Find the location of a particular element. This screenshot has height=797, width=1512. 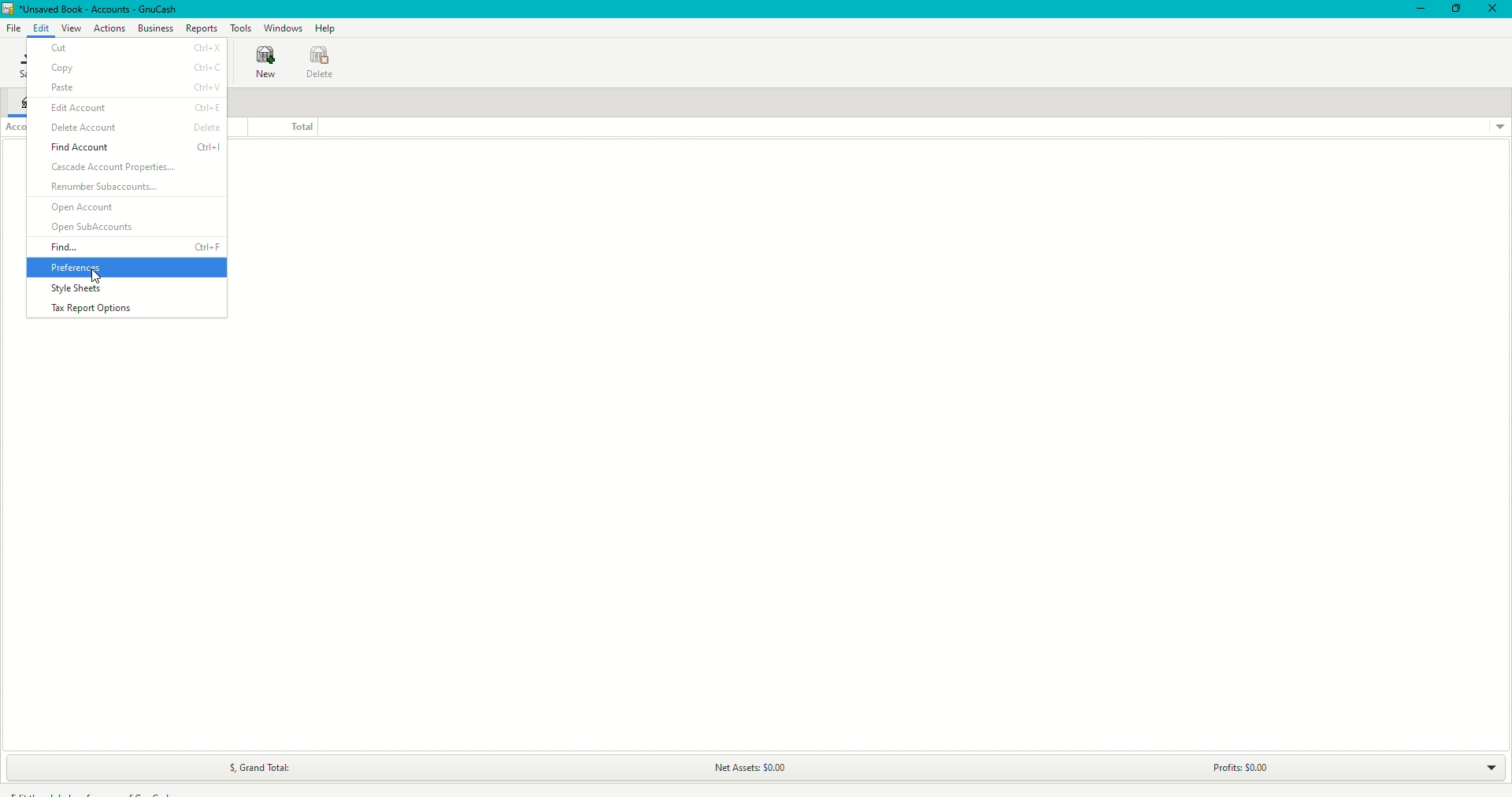

Find is located at coordinates (135, 247).